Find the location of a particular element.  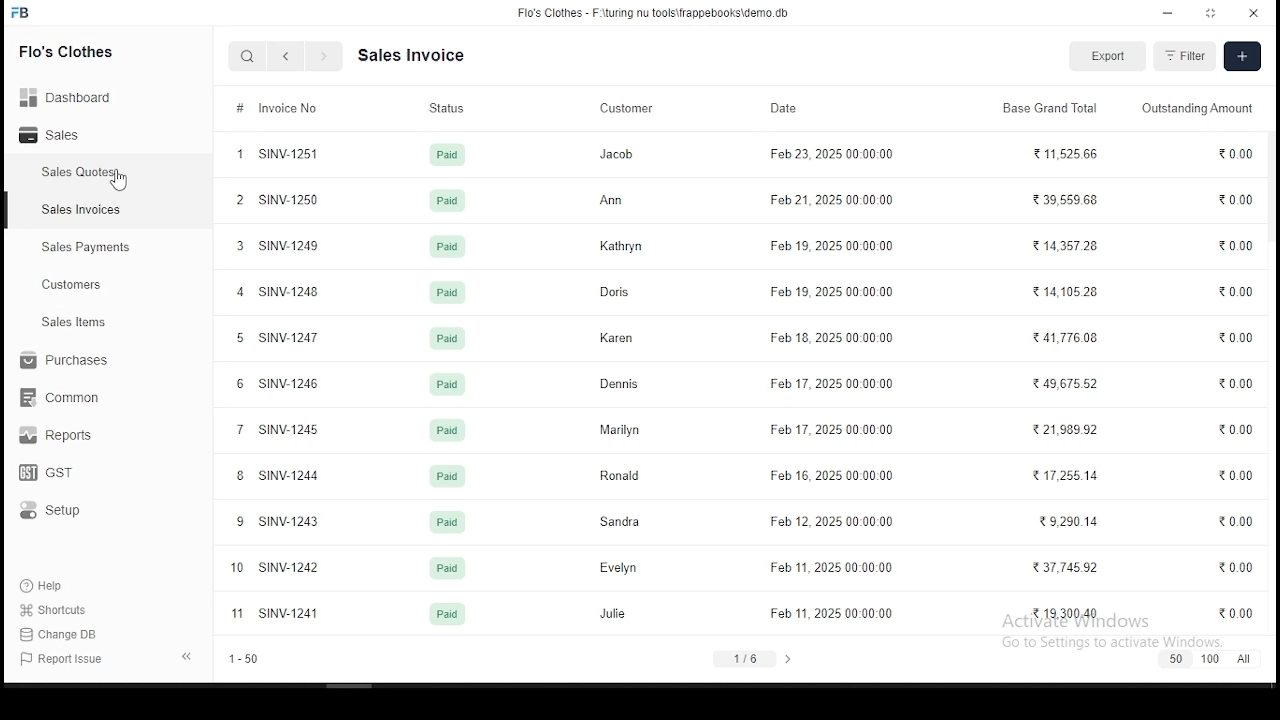

0.00 is located at coordinates (1224, 474).